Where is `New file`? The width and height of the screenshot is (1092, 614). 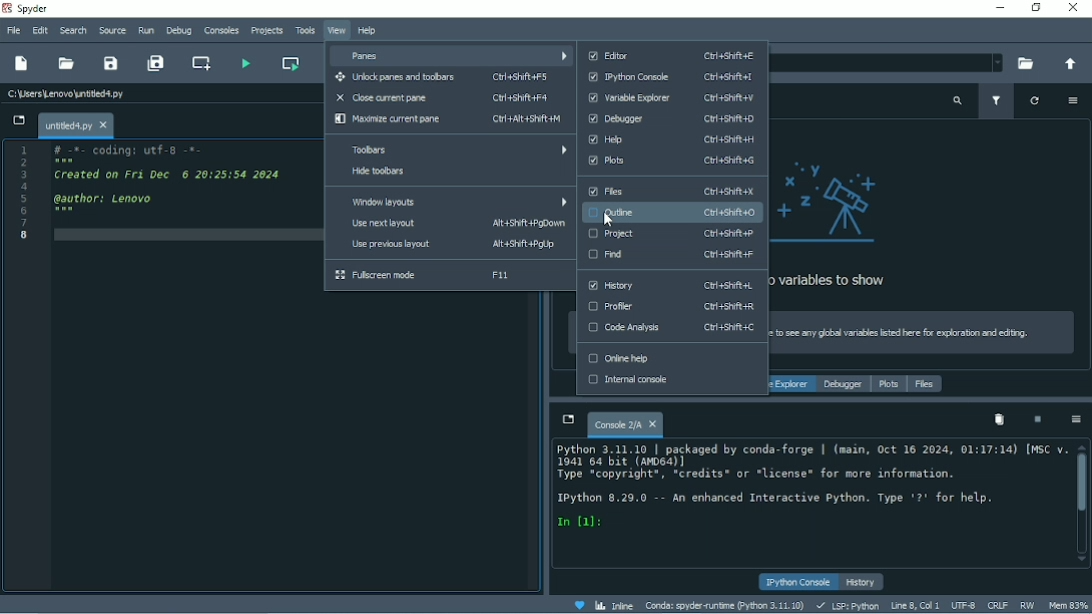
New file is located at coordinates (23, 64).